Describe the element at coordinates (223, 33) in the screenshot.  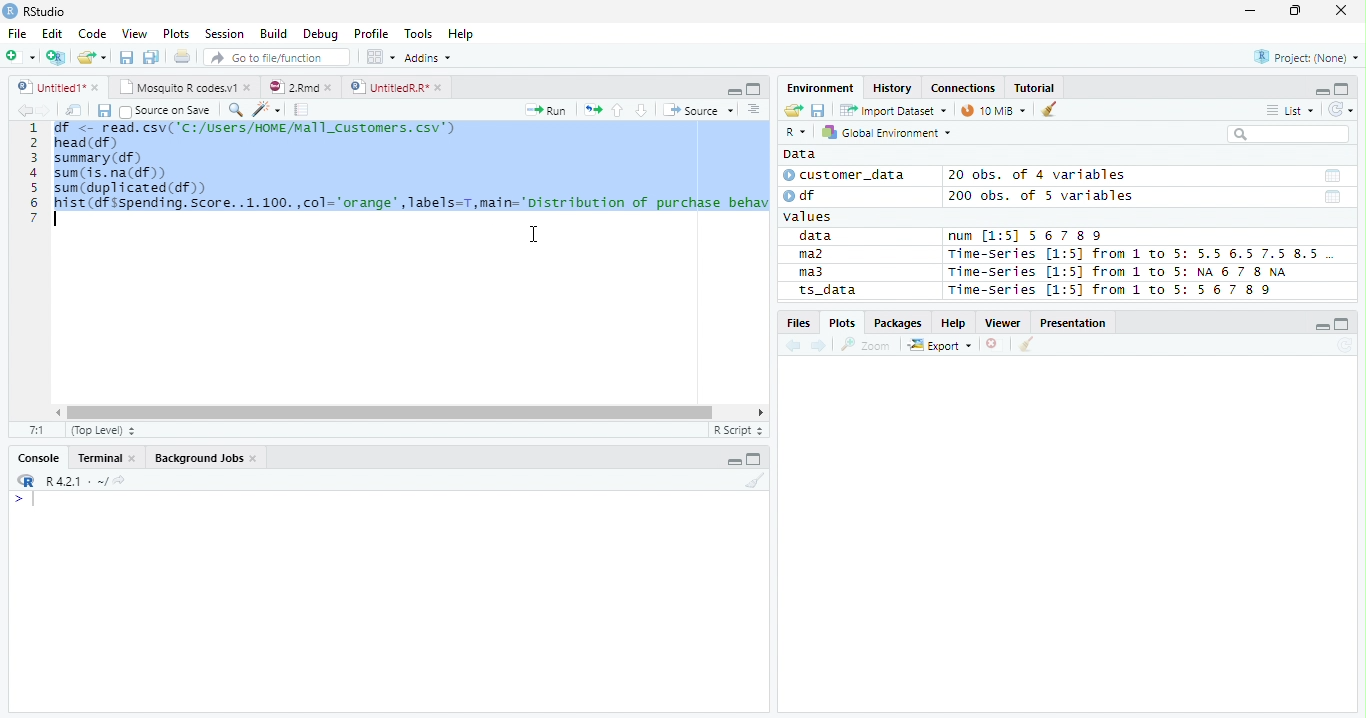
I see `Session` at that location.